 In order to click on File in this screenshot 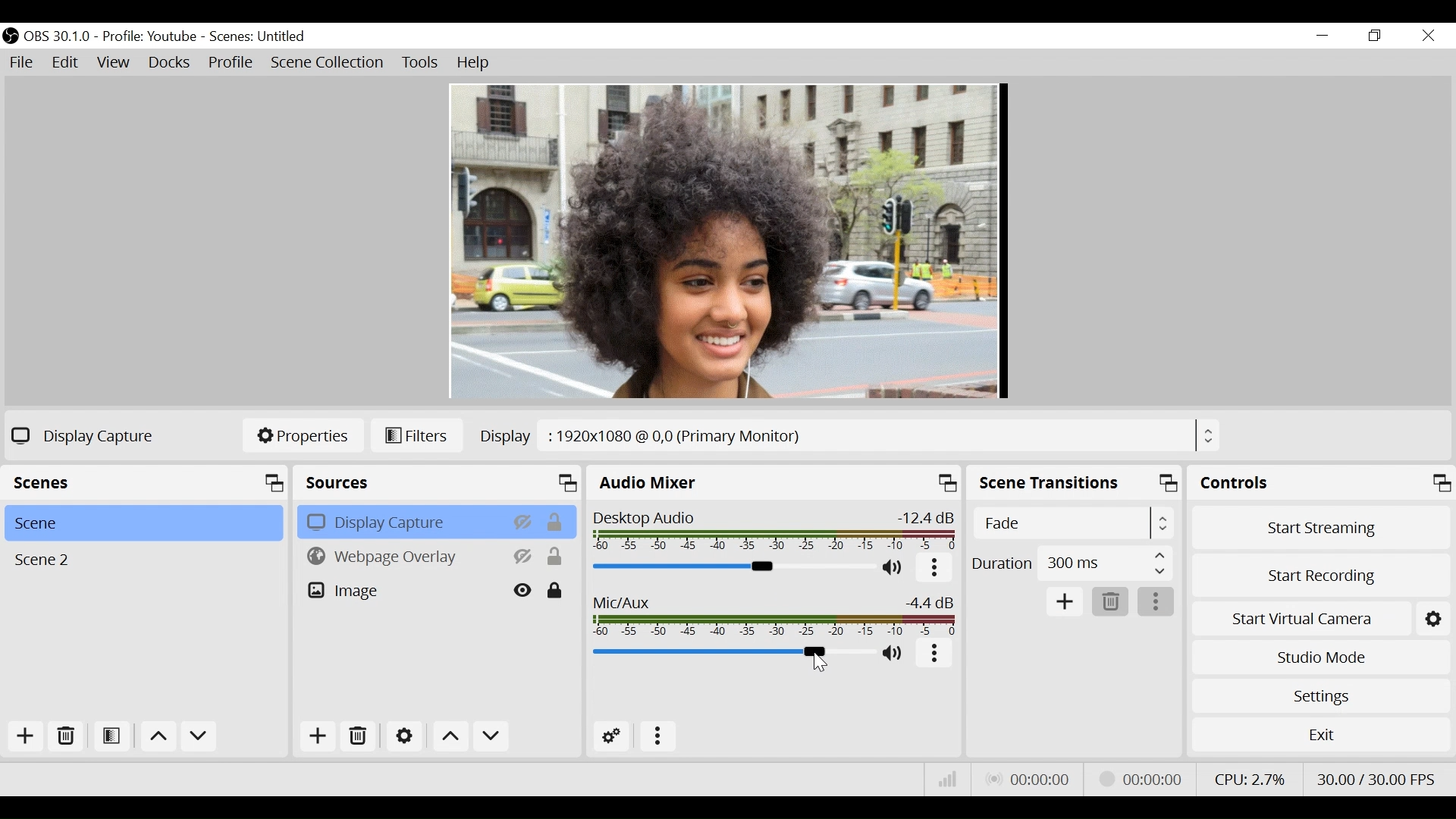, I will do `click(22, 63)`.